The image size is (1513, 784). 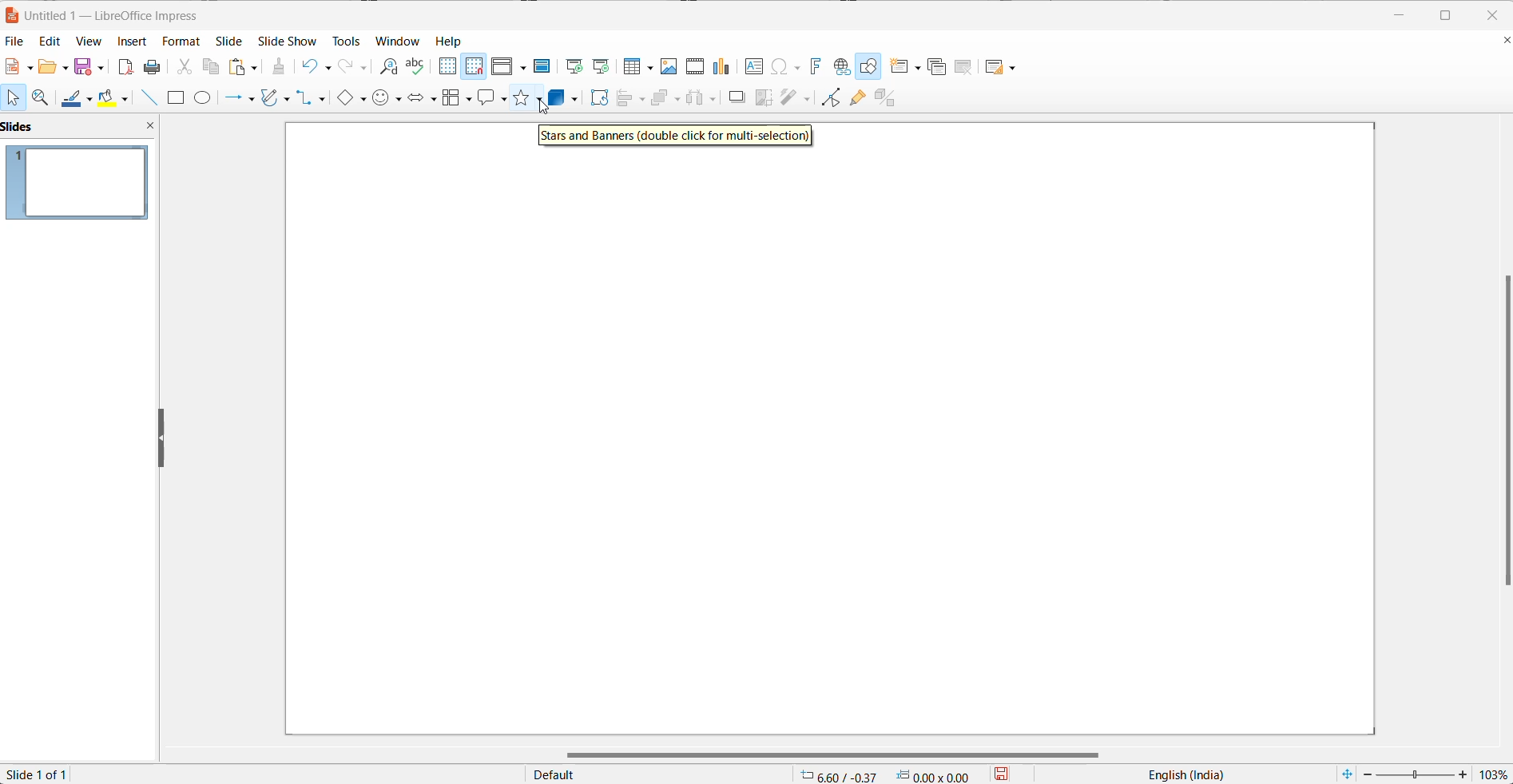 What do you see at coordinates (78, 97) in the screenshot?
I see `line color` at bounding box center [78, 97].